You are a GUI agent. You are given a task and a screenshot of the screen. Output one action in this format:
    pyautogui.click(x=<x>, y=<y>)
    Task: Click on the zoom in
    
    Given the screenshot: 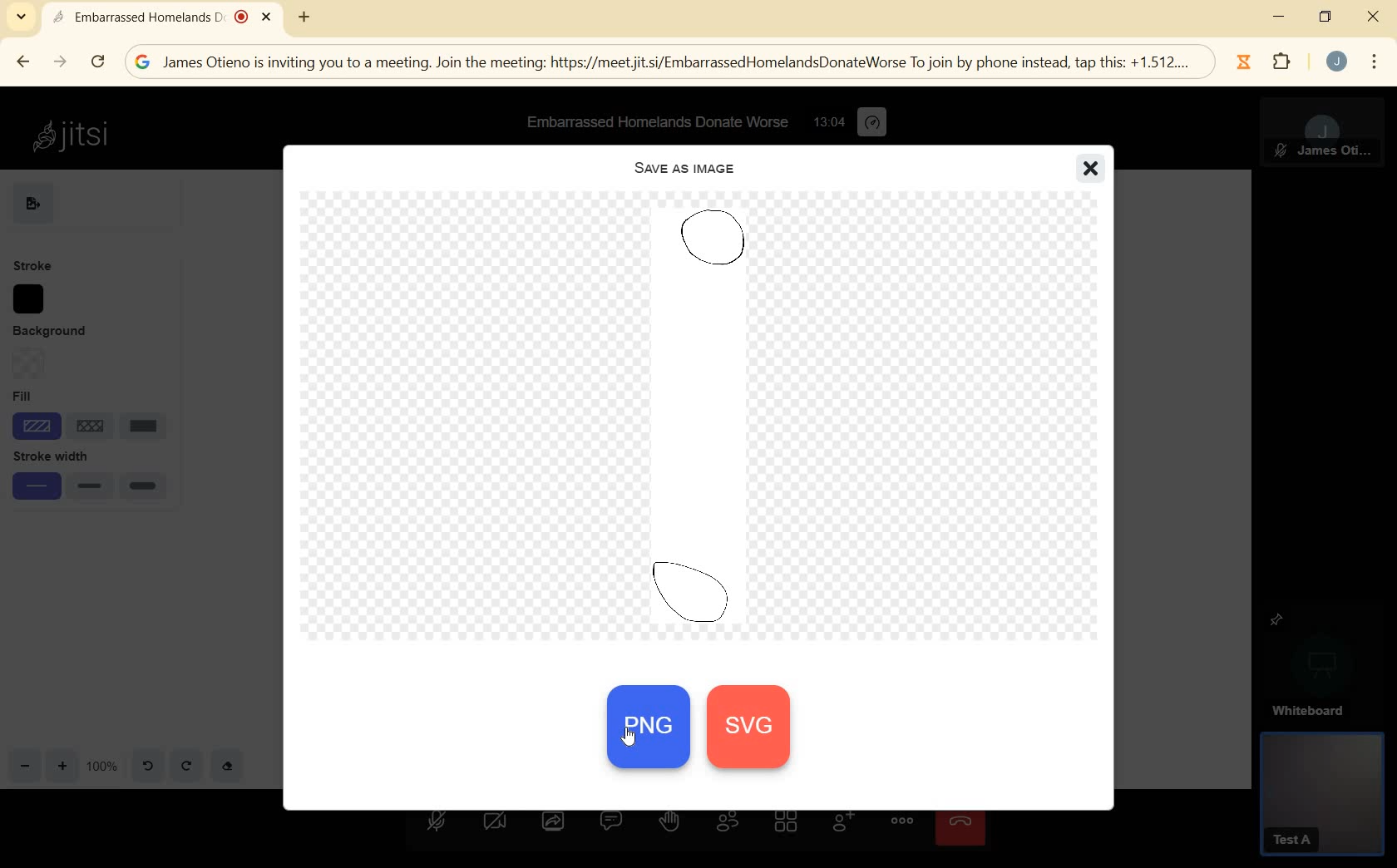 What is the action you would take?
    pyautogui.click(x=63, y=767)
    